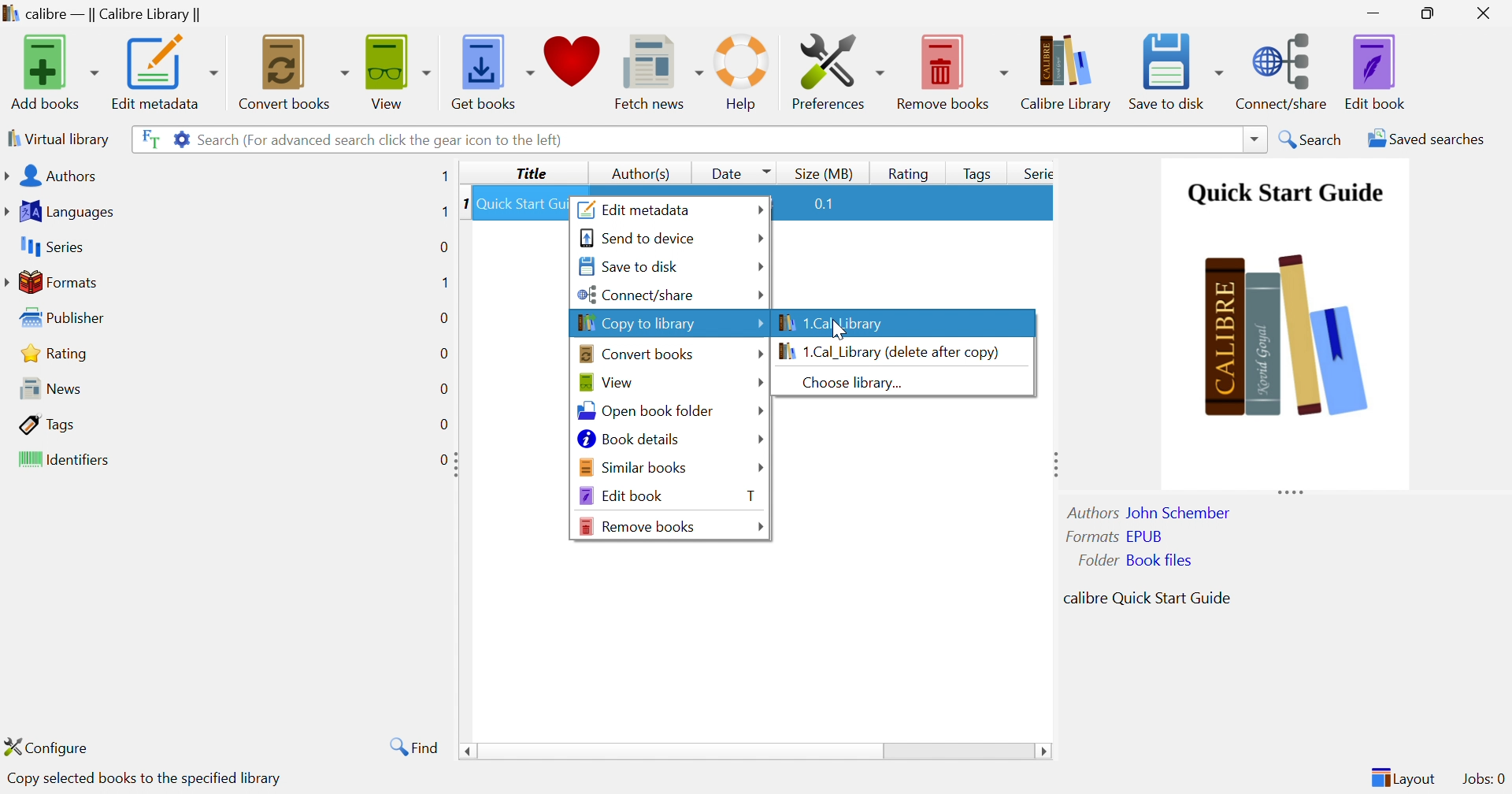  Describe the element at coordinates (636, 209) in the screenshot. I see `Edit metadata` at that location.